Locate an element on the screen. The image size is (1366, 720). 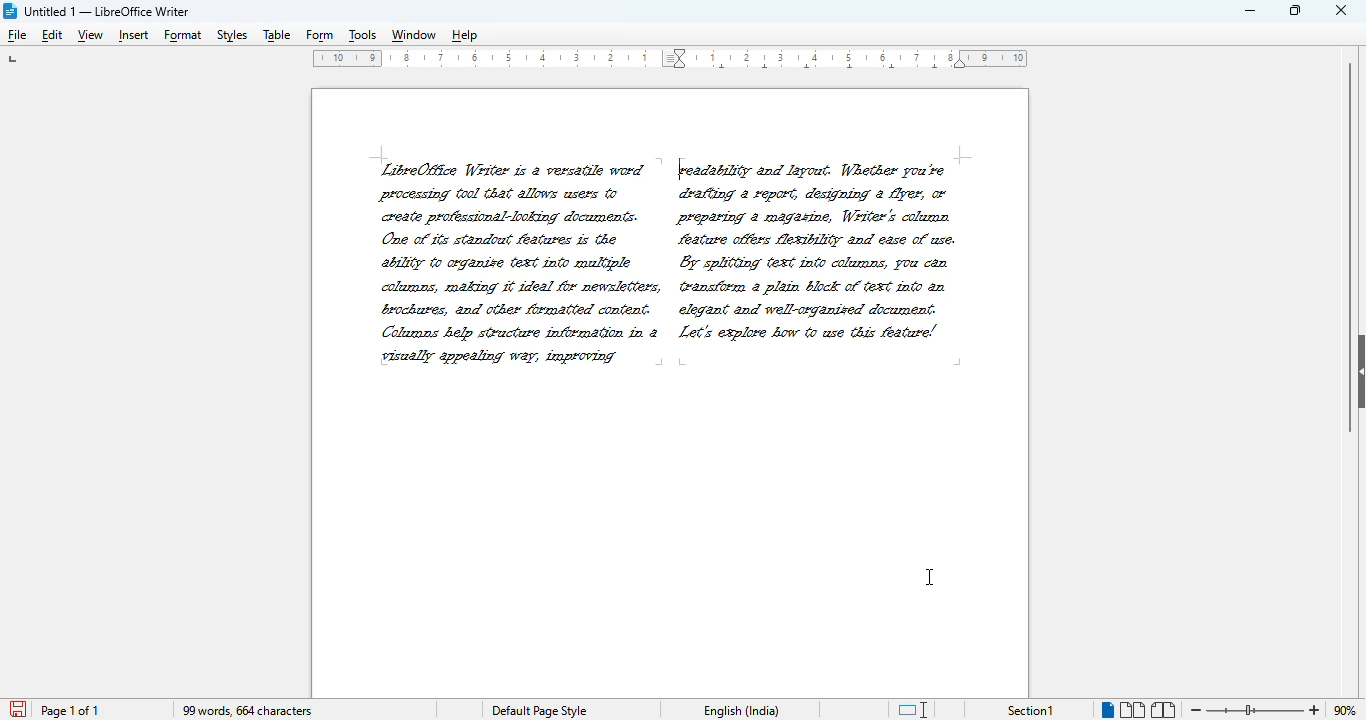
Indent Markers is located at coordinates (674, 59).